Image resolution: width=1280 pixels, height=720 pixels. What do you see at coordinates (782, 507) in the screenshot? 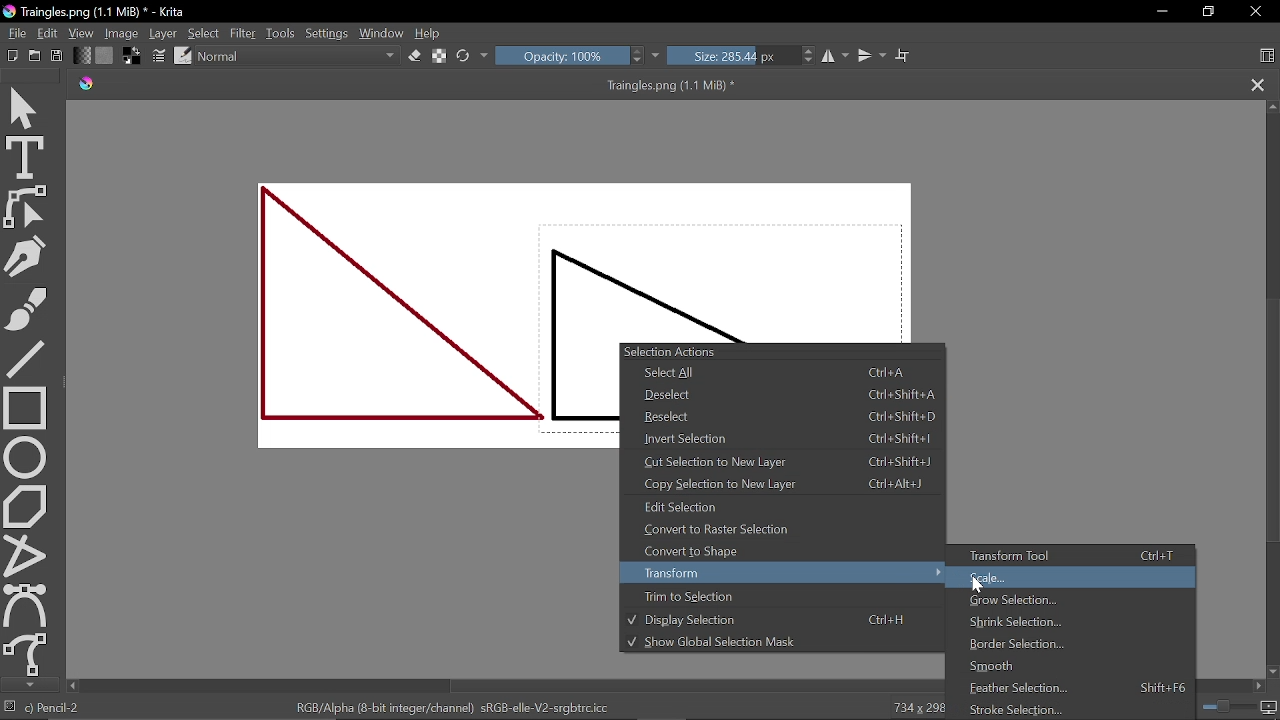
I see `Edit selection` at bounding box center [782, 507].